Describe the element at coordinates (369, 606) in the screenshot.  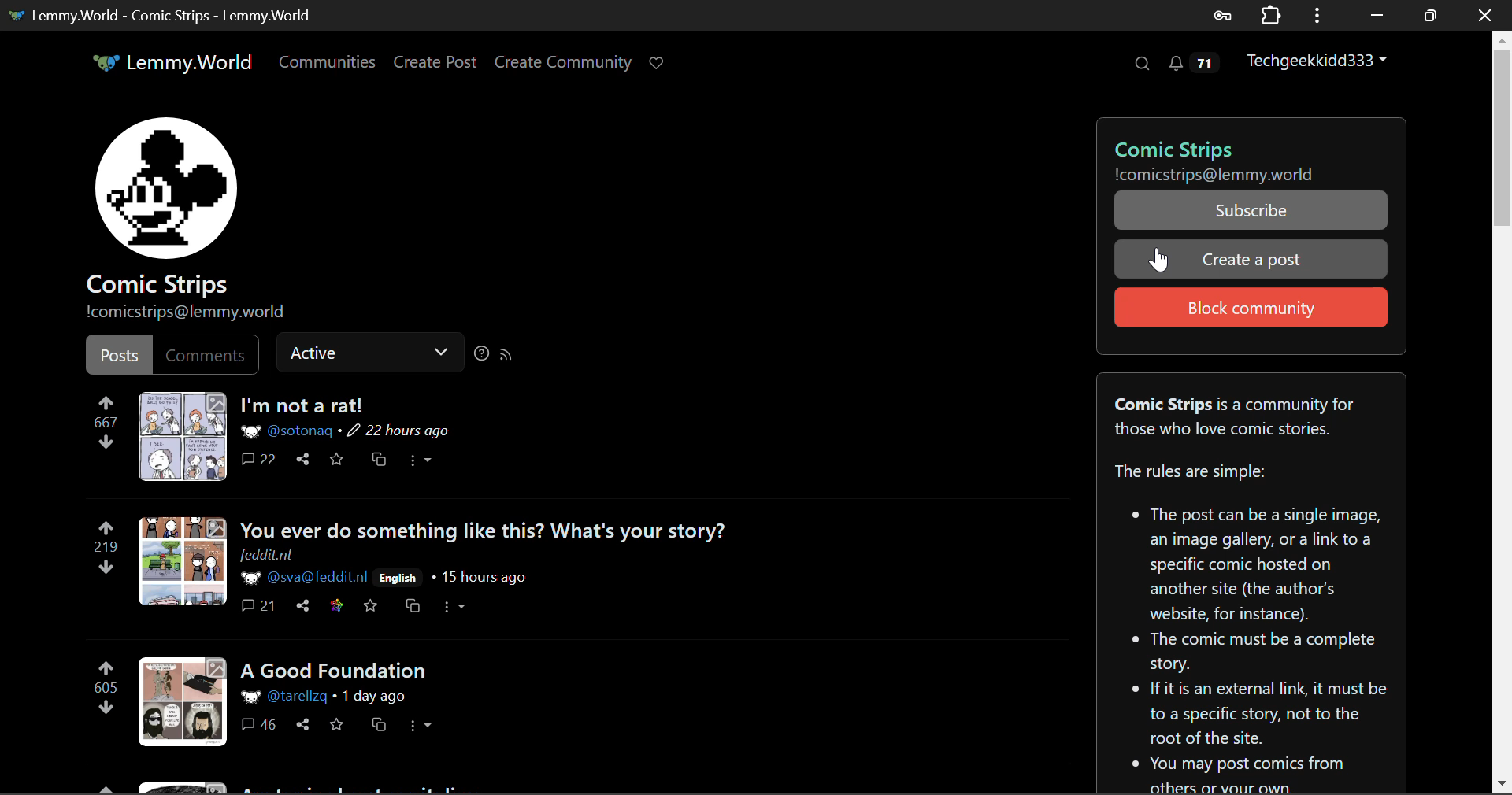
I see `Save` at that location.